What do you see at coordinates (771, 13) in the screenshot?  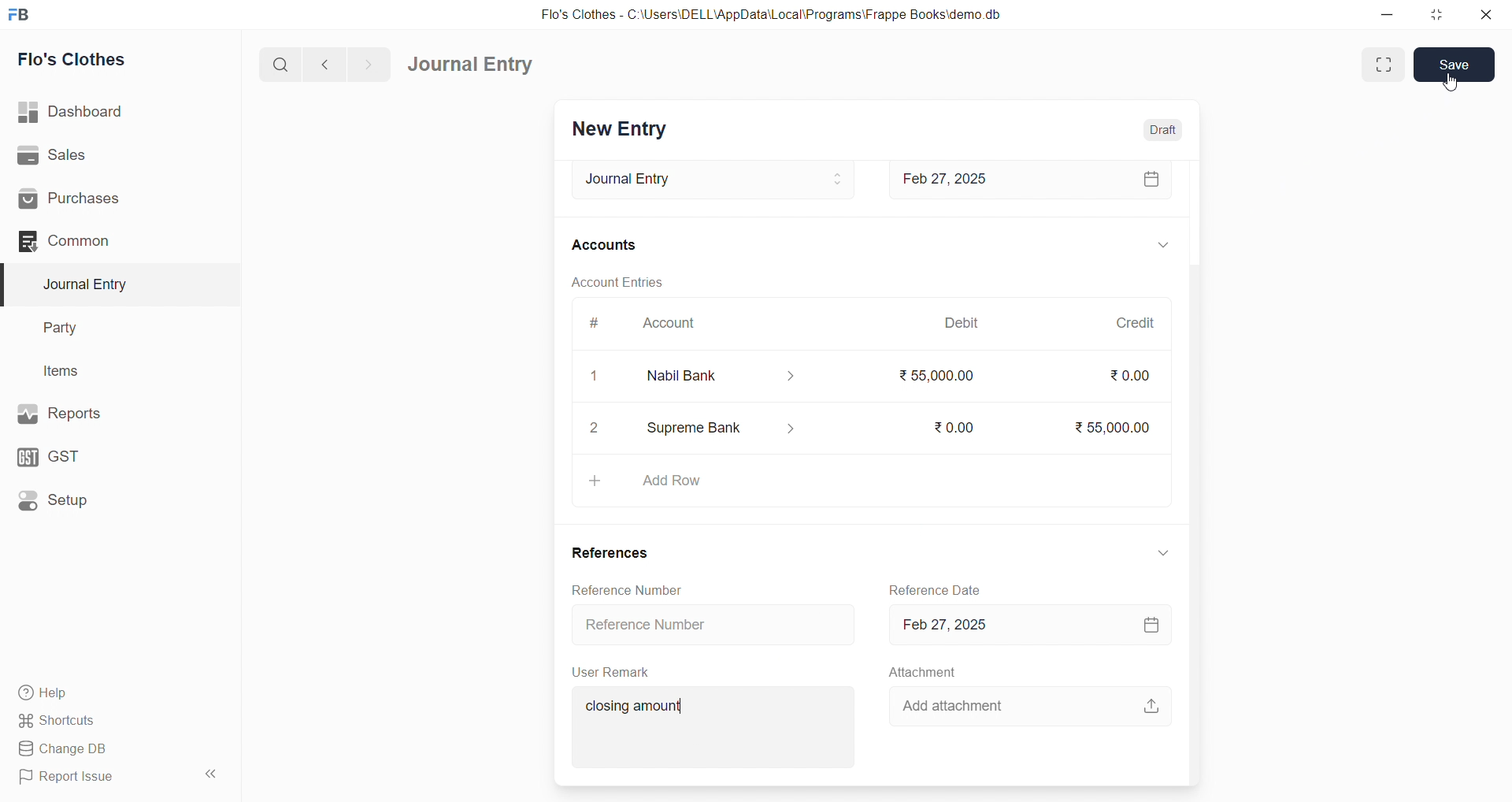 I see `Flo's Clothes - C:\Users\DELL\AppData\Local\Programs\Frappe Books\demo.db` at bounding box center [771, 13].